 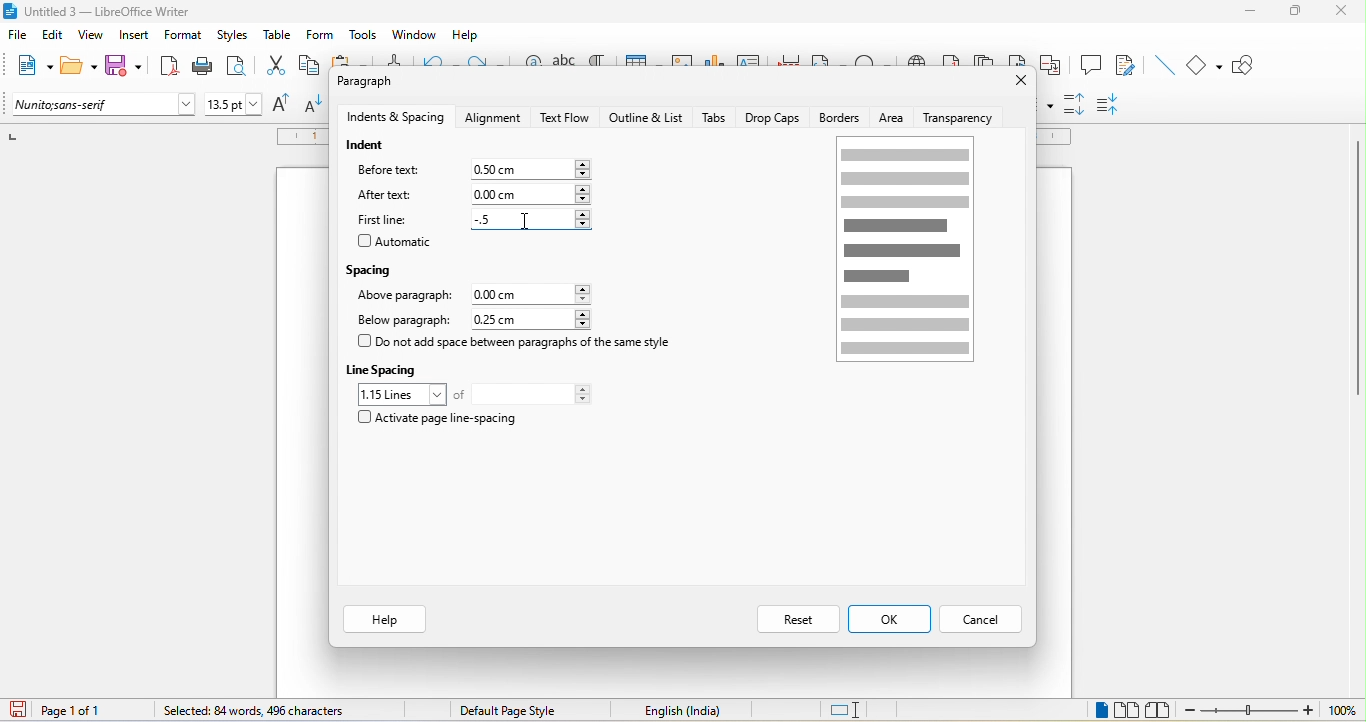 I want to click on standard selection, so click(x=847, y=711).